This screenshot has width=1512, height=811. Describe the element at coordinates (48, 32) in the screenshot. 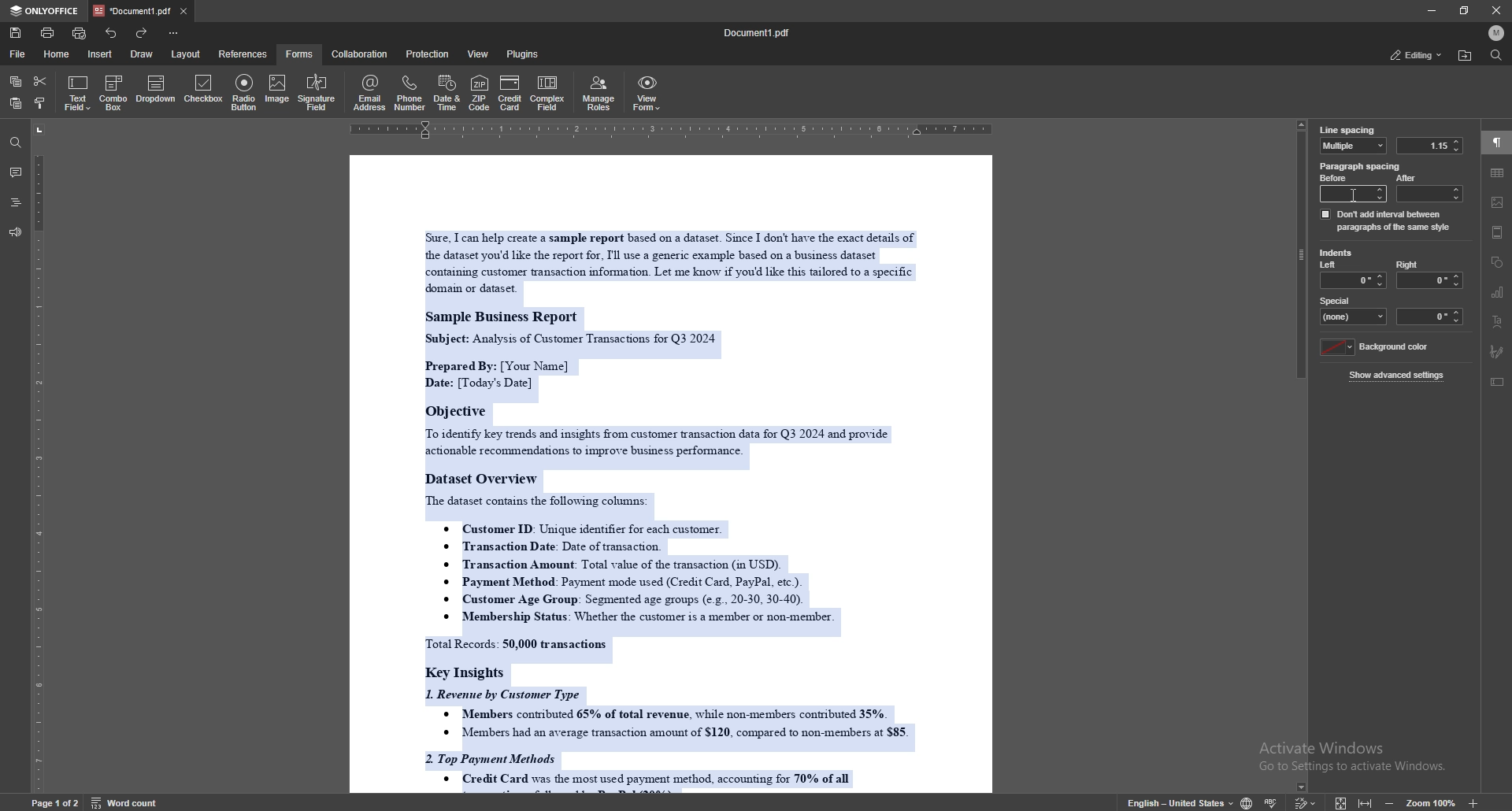

I see `print` at that location.